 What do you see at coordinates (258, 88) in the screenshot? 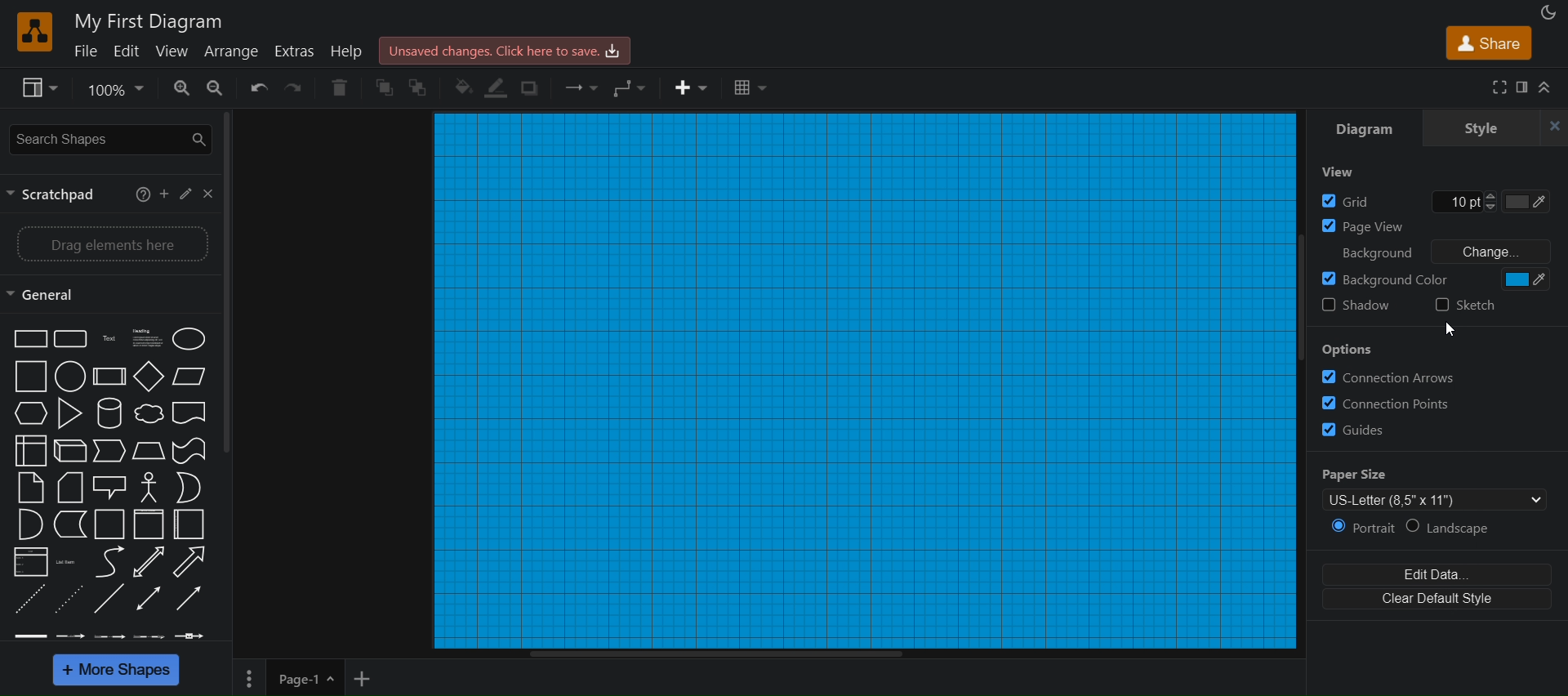
I see `undo` at bounding box center [258, 88].